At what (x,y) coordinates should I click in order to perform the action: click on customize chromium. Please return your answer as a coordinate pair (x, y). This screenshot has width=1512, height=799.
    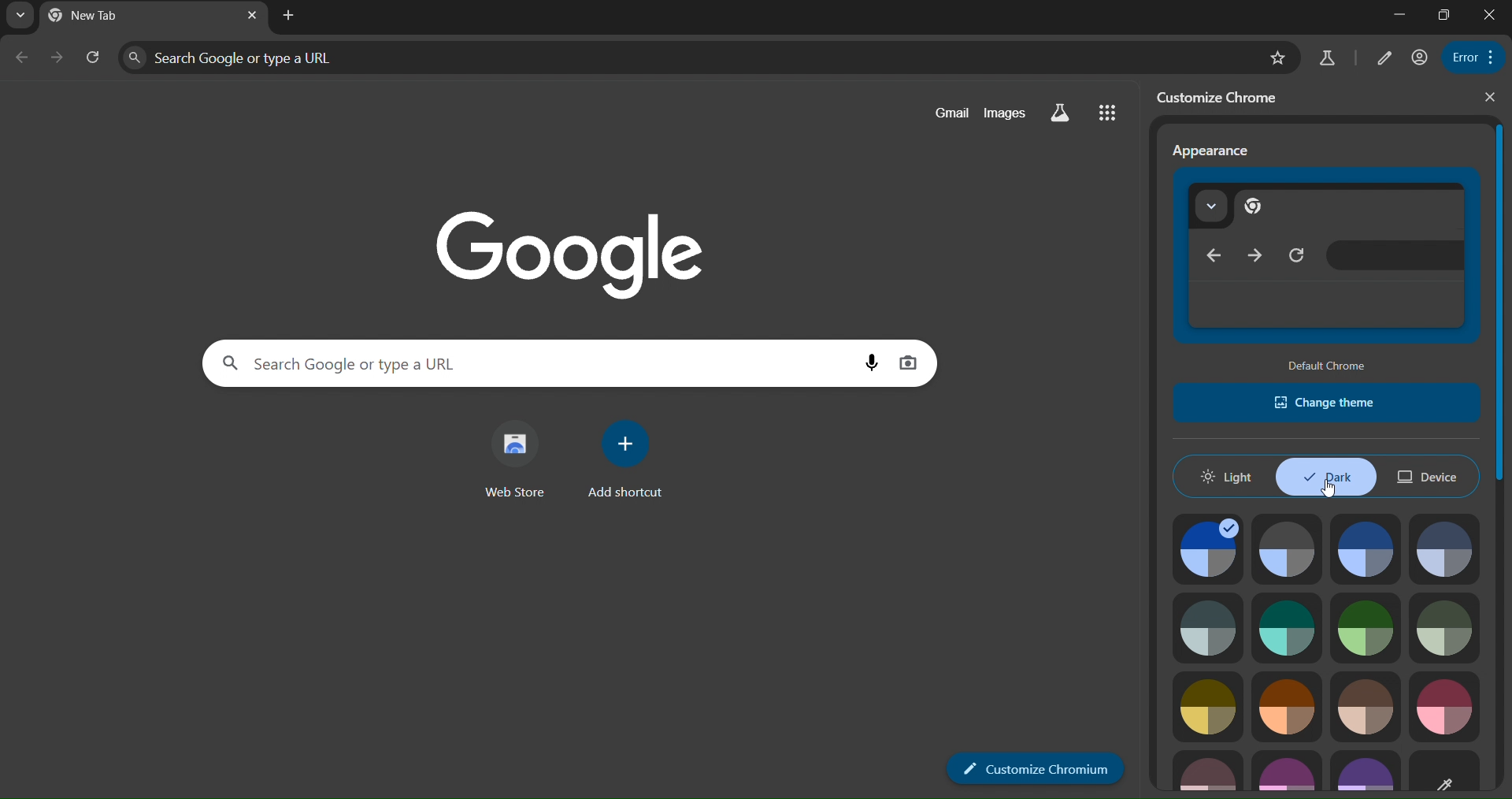
    Looking at the image, I should click on (1036, 769).